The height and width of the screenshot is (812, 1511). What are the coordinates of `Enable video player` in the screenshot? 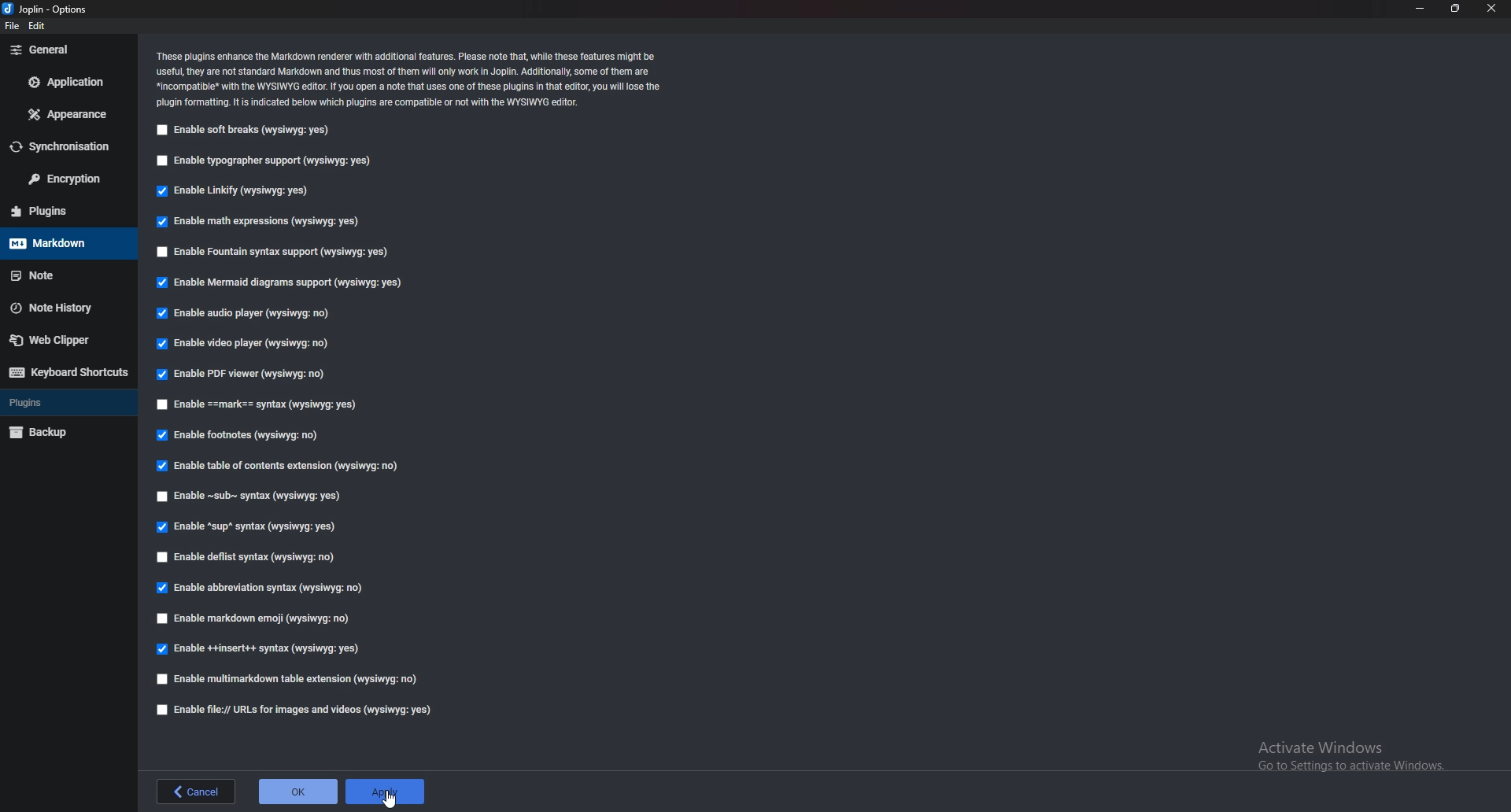 It's located at (243, 341).